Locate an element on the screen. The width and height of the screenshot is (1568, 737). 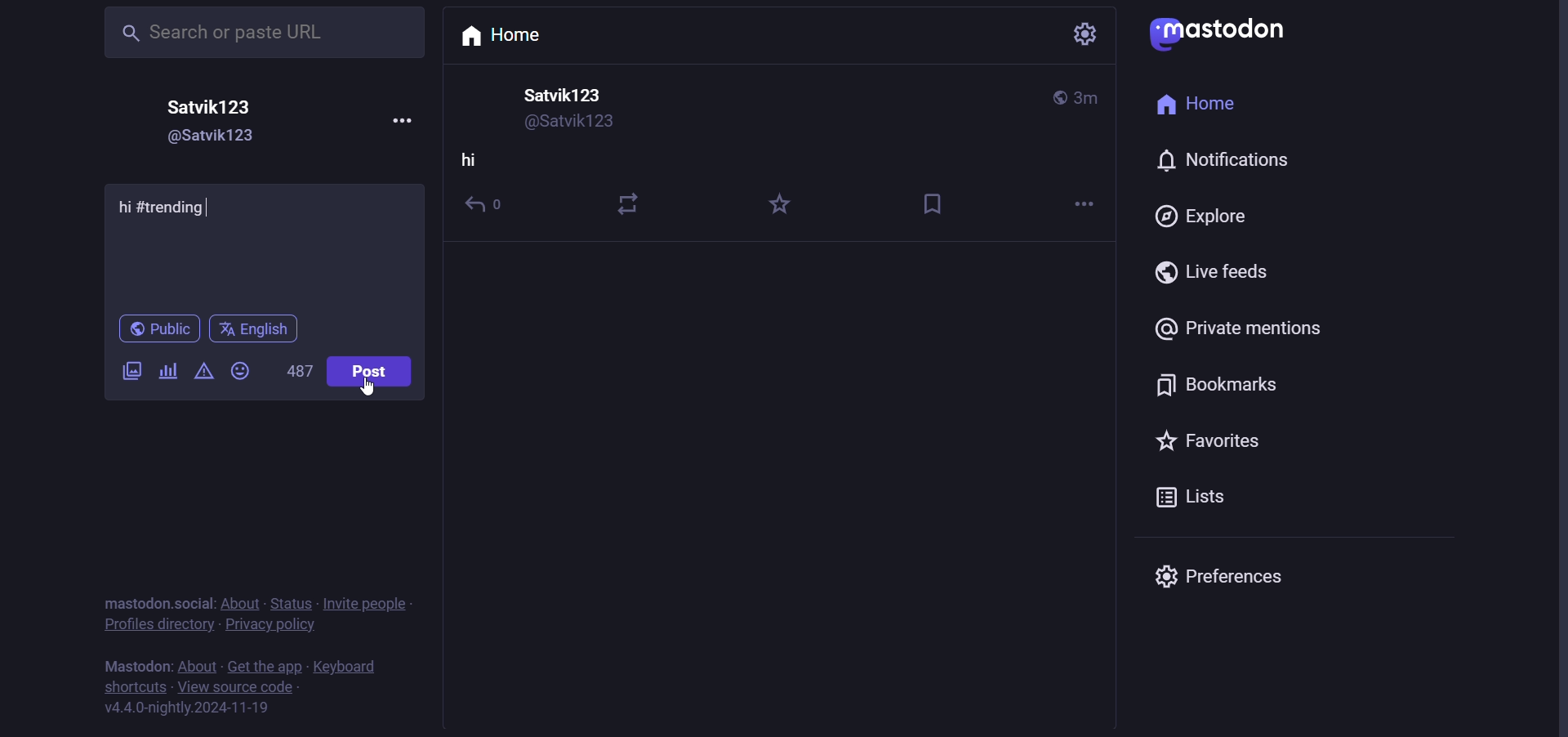
favorite is located at coordinates (780, 206).